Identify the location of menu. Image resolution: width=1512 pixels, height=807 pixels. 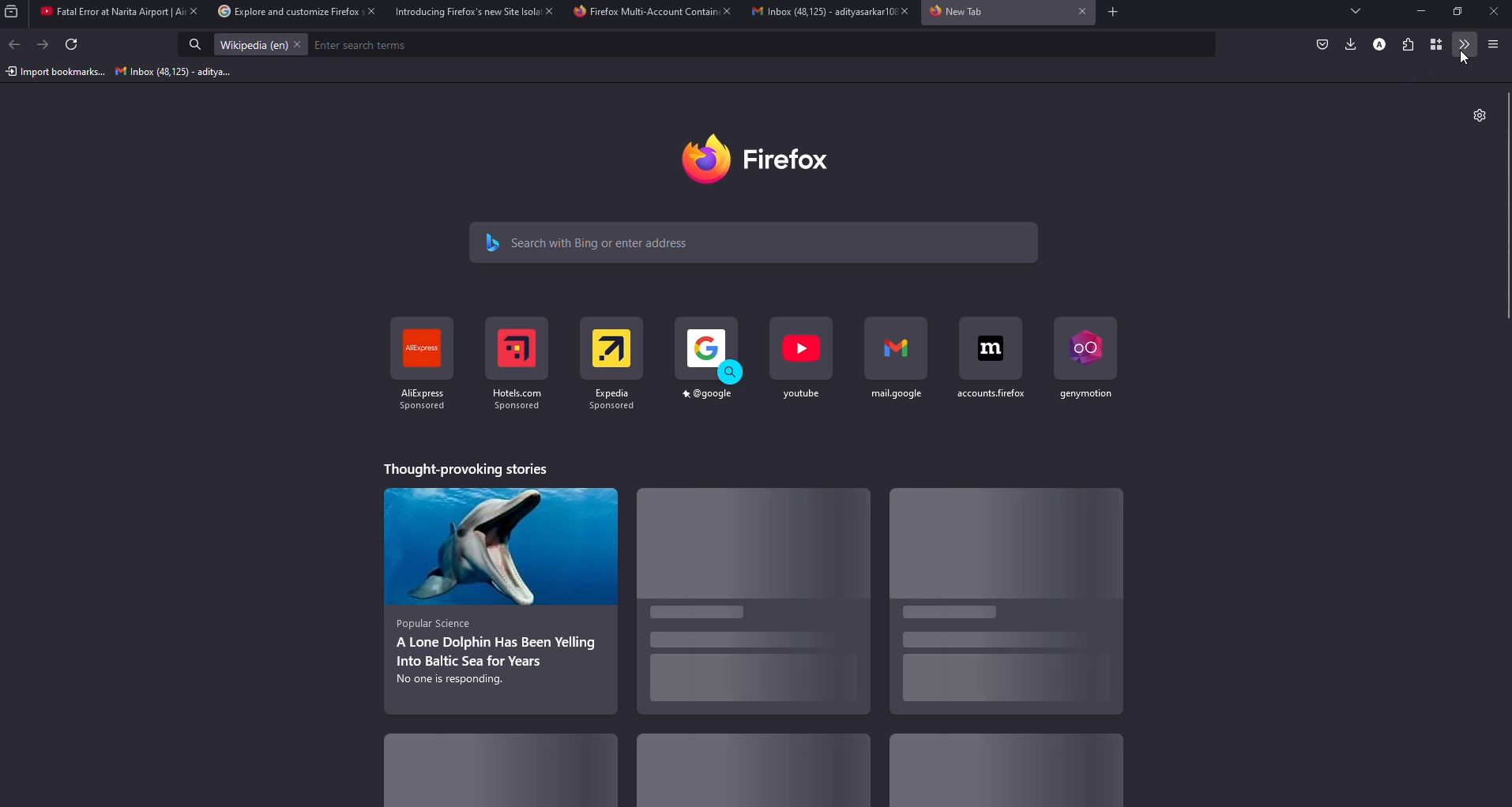
(1492, 43).